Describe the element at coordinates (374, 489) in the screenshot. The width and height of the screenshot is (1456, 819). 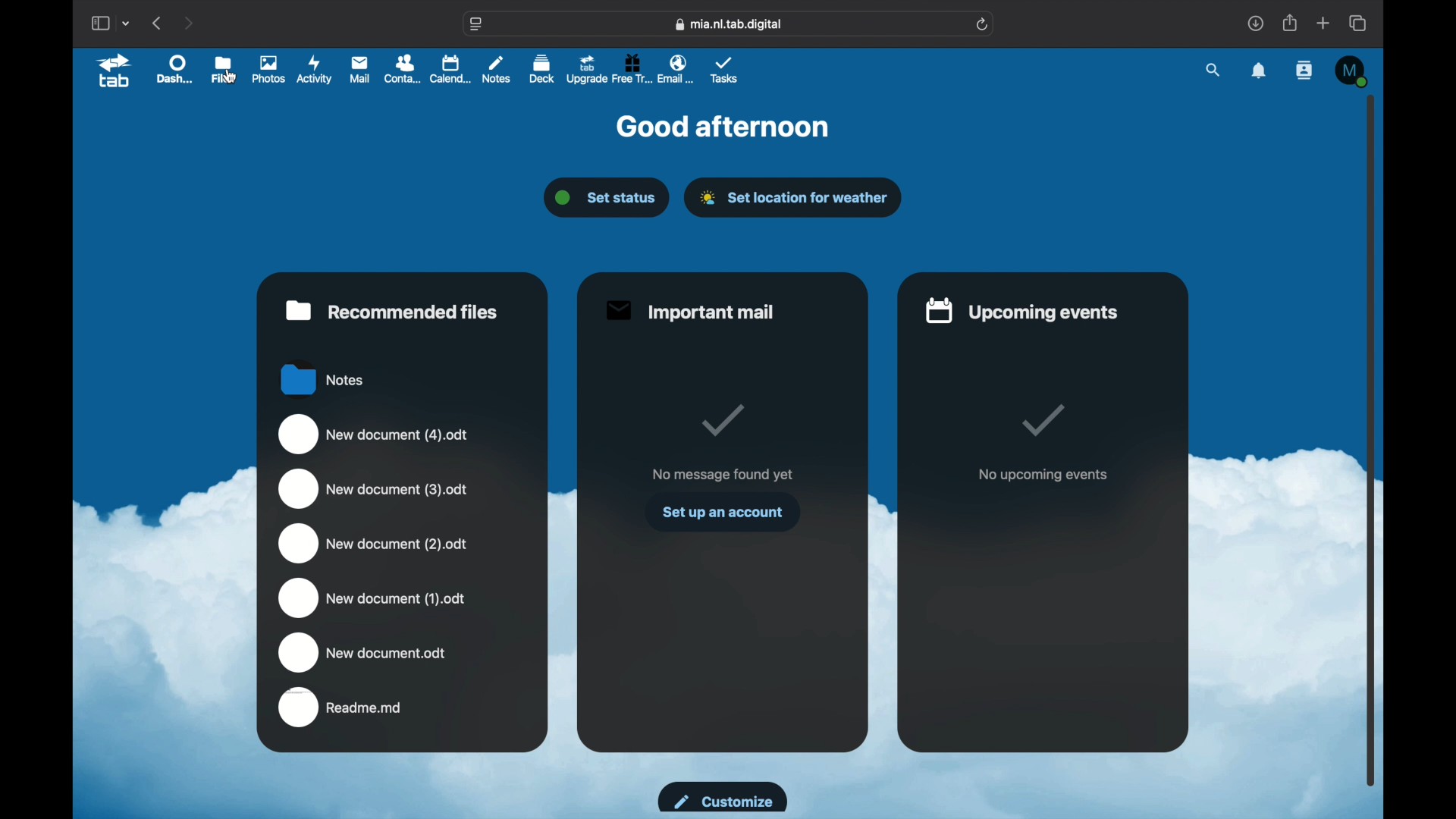
I see `new document` at that location.